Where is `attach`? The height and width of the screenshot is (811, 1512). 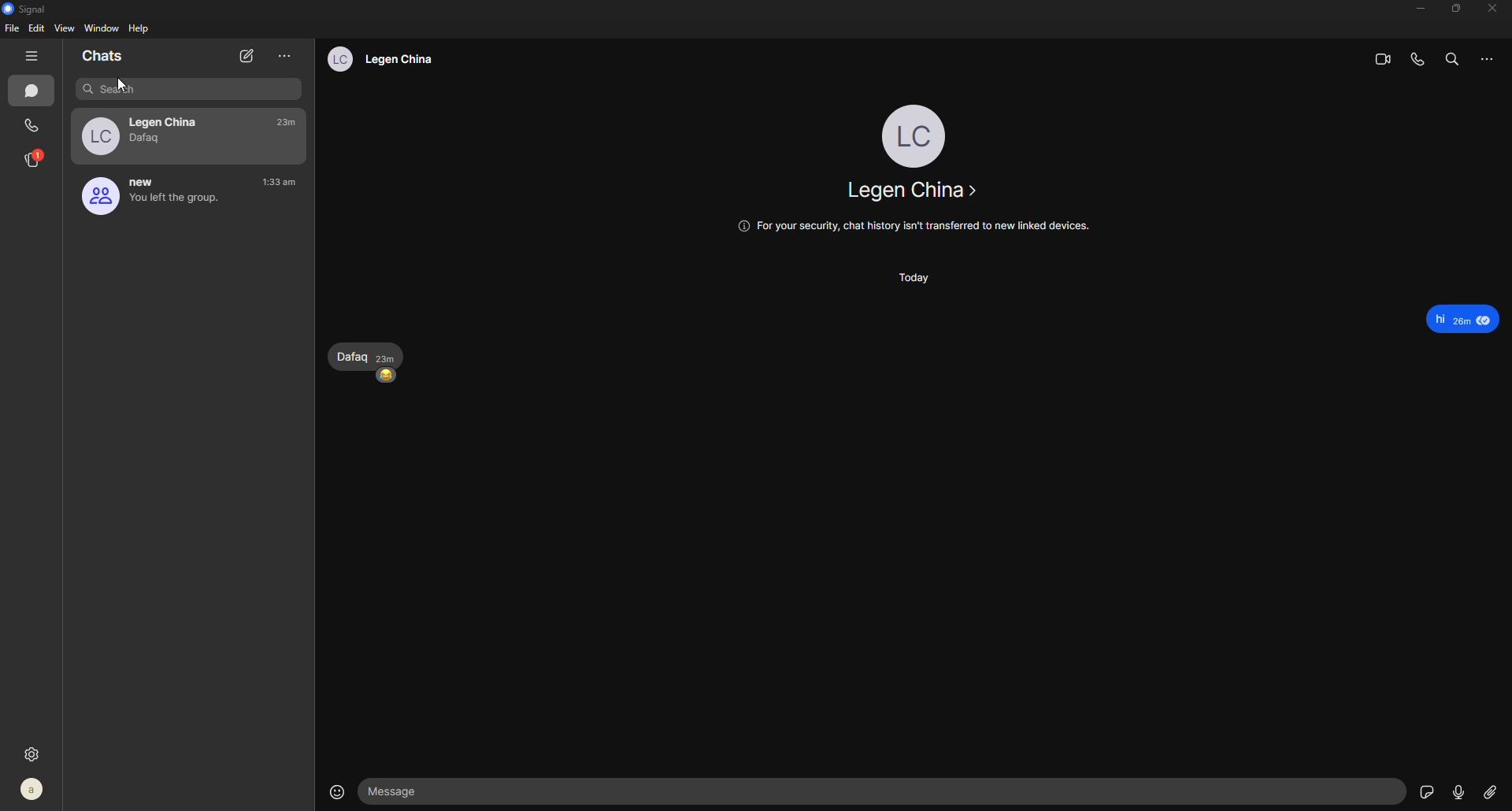
attach is located at coordinates (1495, 791).